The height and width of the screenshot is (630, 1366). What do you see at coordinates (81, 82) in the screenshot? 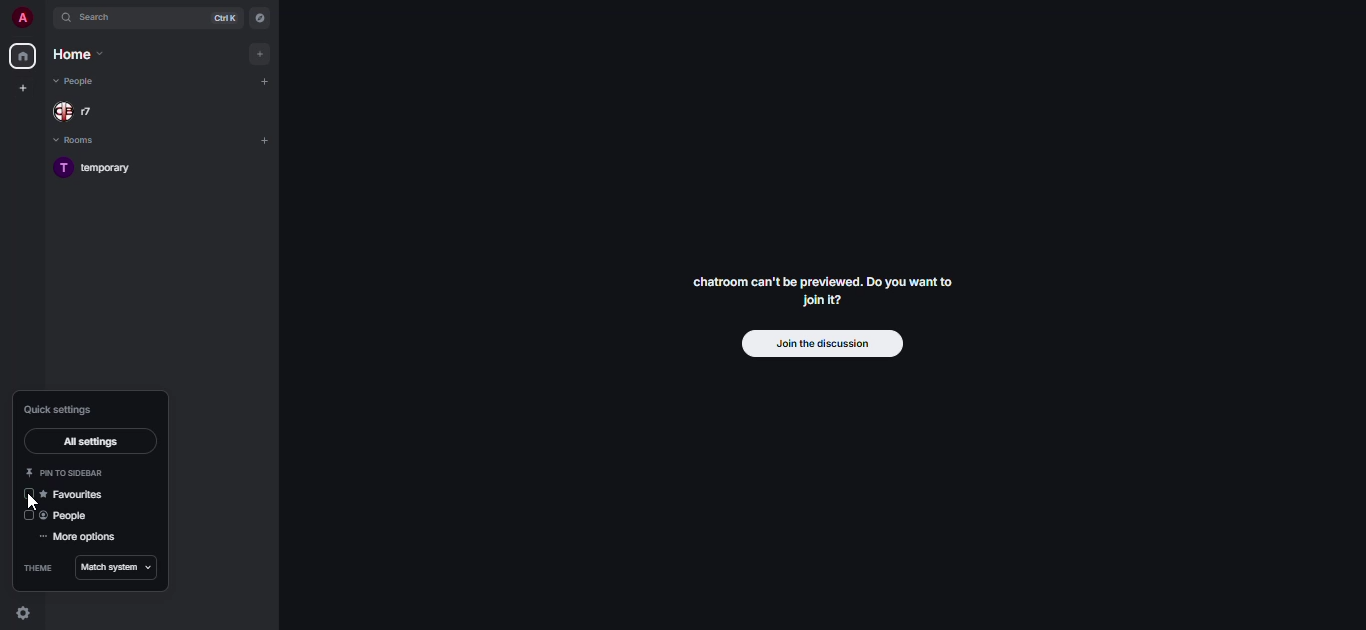
I see `people` at bounding box center [81, 82].